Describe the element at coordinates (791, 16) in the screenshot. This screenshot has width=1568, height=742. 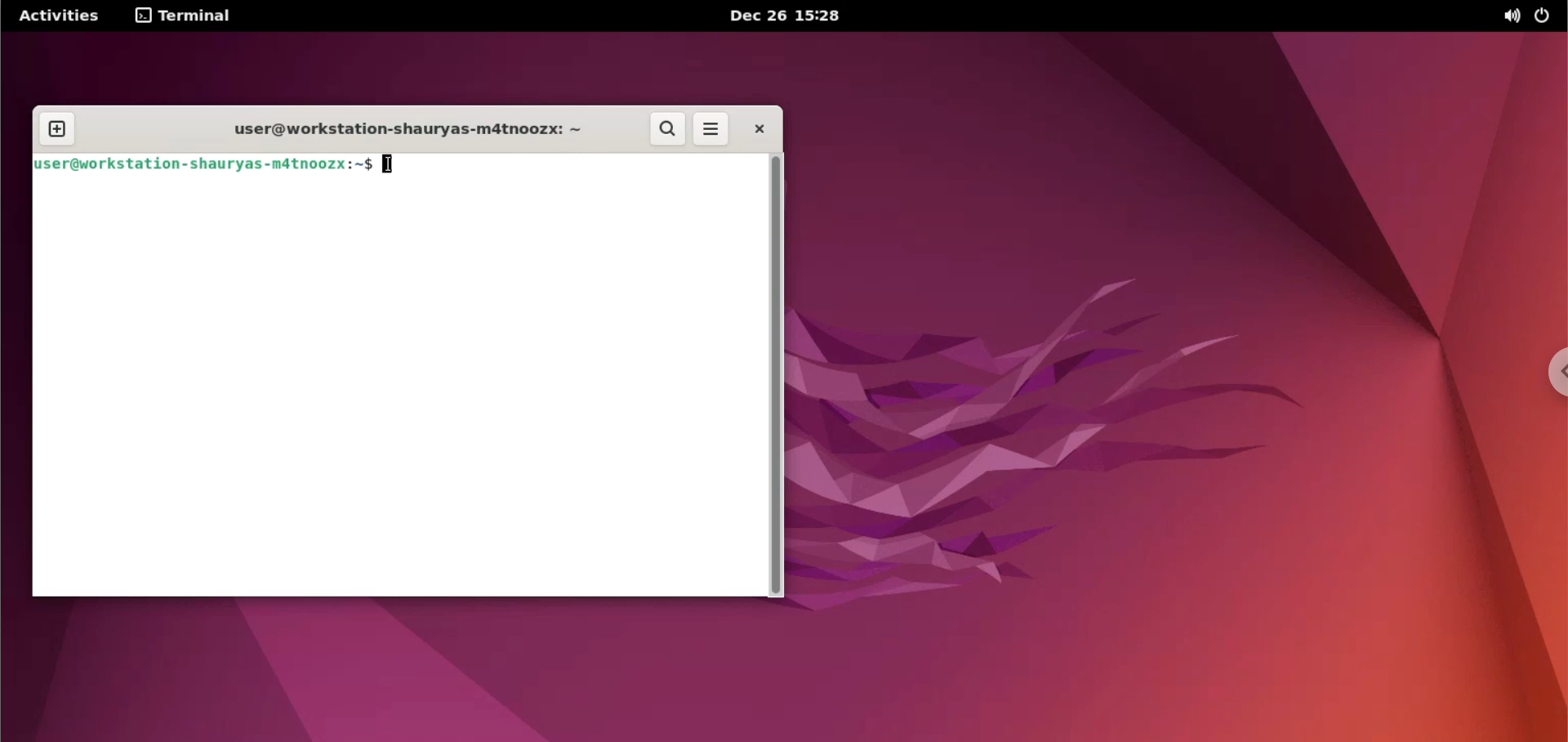
I see `Dec 26 15:28` at that location.